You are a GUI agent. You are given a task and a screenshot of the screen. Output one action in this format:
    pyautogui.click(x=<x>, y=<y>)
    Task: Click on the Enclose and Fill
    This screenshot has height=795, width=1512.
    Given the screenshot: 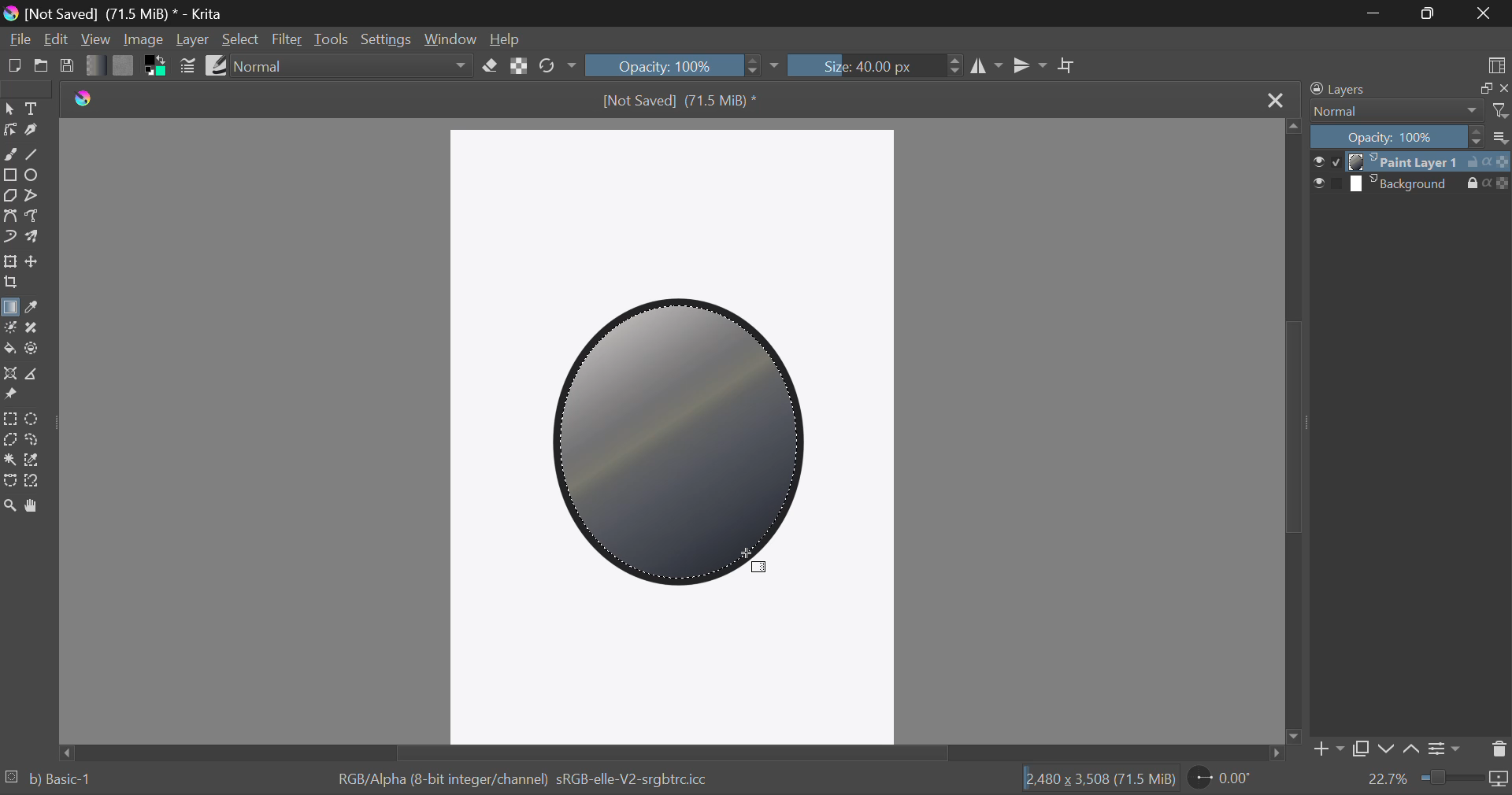 What is the action you would take?
    pyautogui.click(x=37, y=349)
    